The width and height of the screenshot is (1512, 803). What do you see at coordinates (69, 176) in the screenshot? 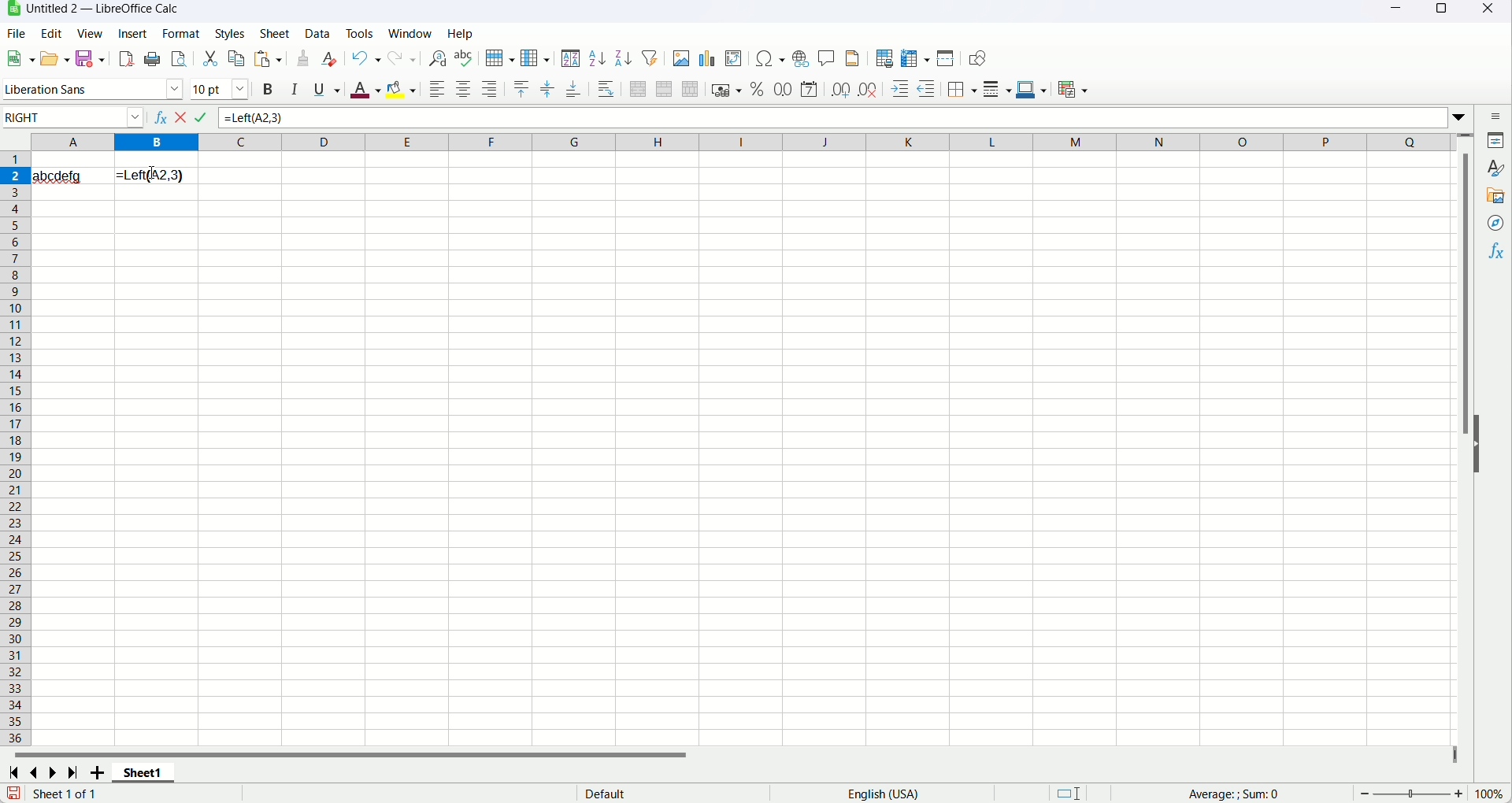
I see `abcdefg` at bounding box center [69, 176].